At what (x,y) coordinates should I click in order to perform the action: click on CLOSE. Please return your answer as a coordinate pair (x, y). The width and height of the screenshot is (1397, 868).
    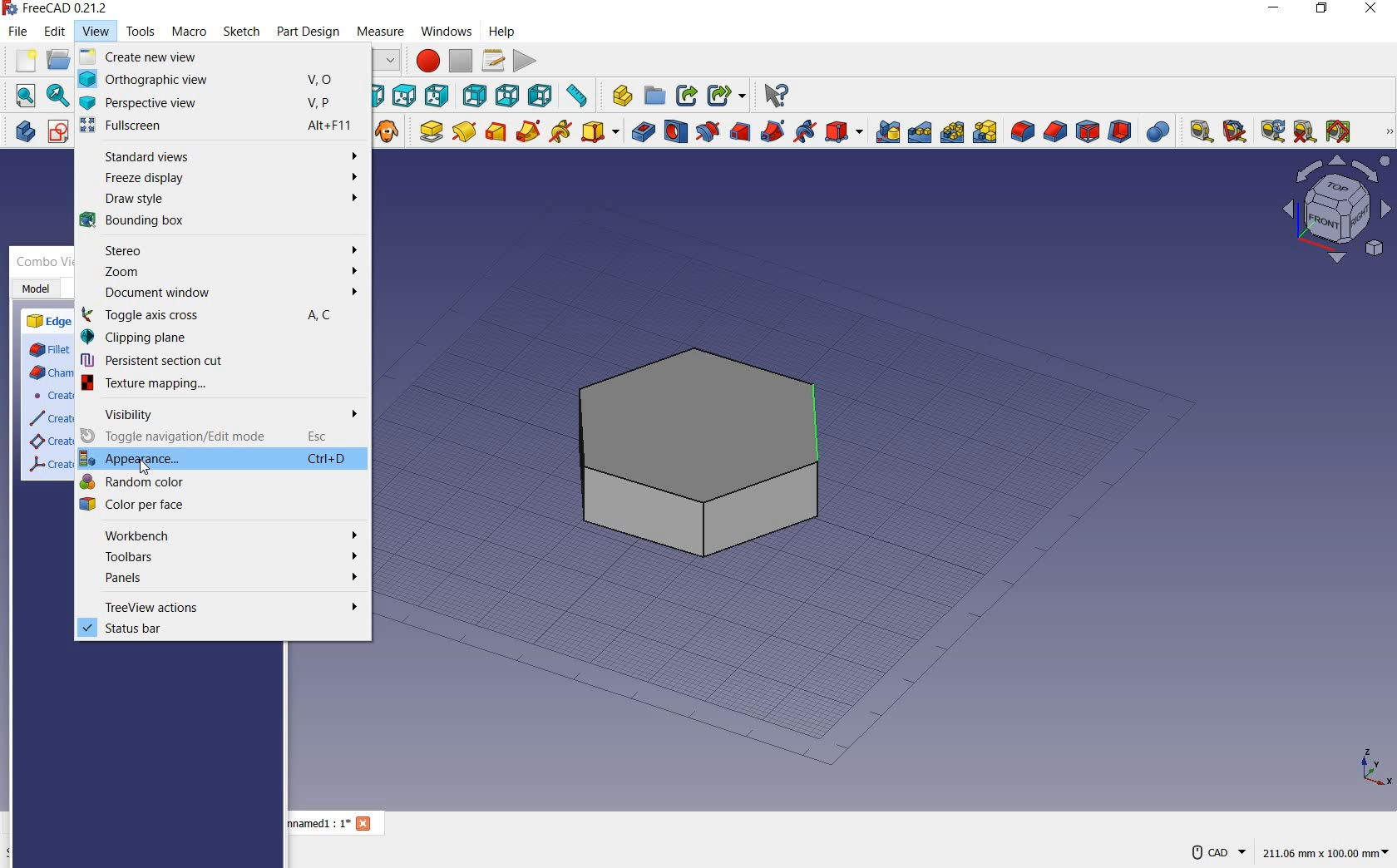
    Looking at the image, I should click on (1373, 8).